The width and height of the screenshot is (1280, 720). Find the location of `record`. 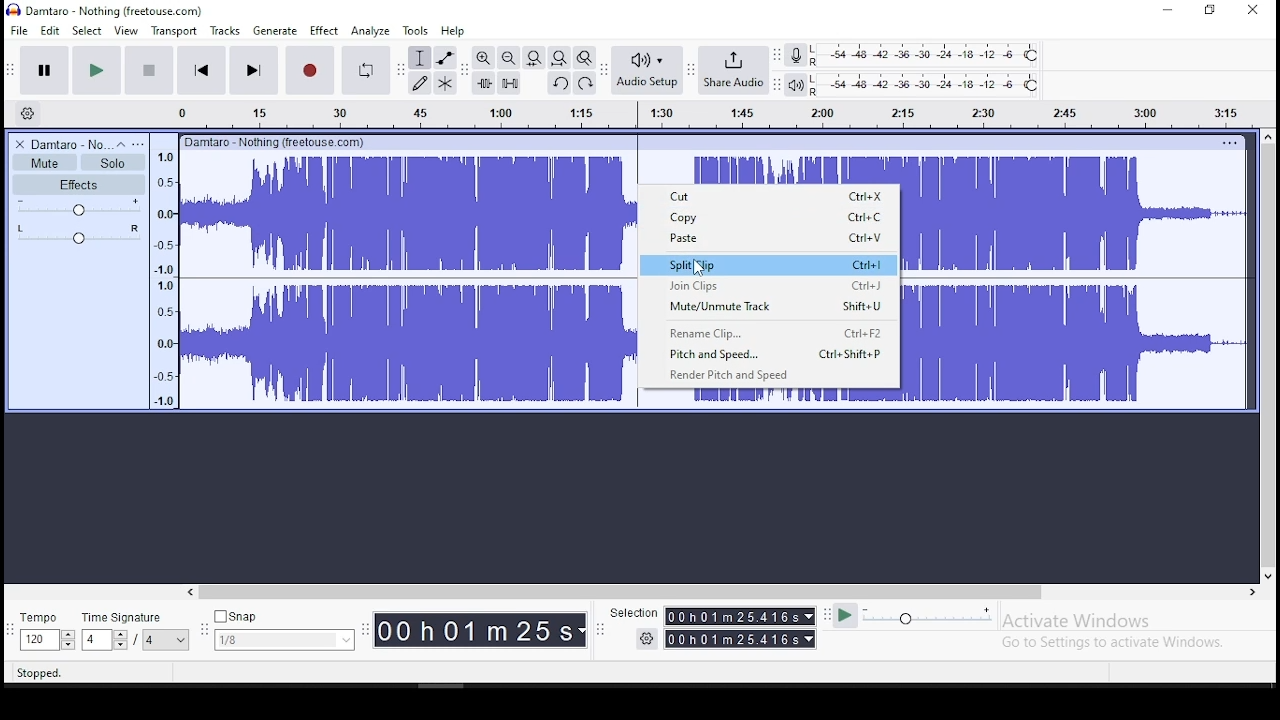

record is located at coordinates (310, 70).